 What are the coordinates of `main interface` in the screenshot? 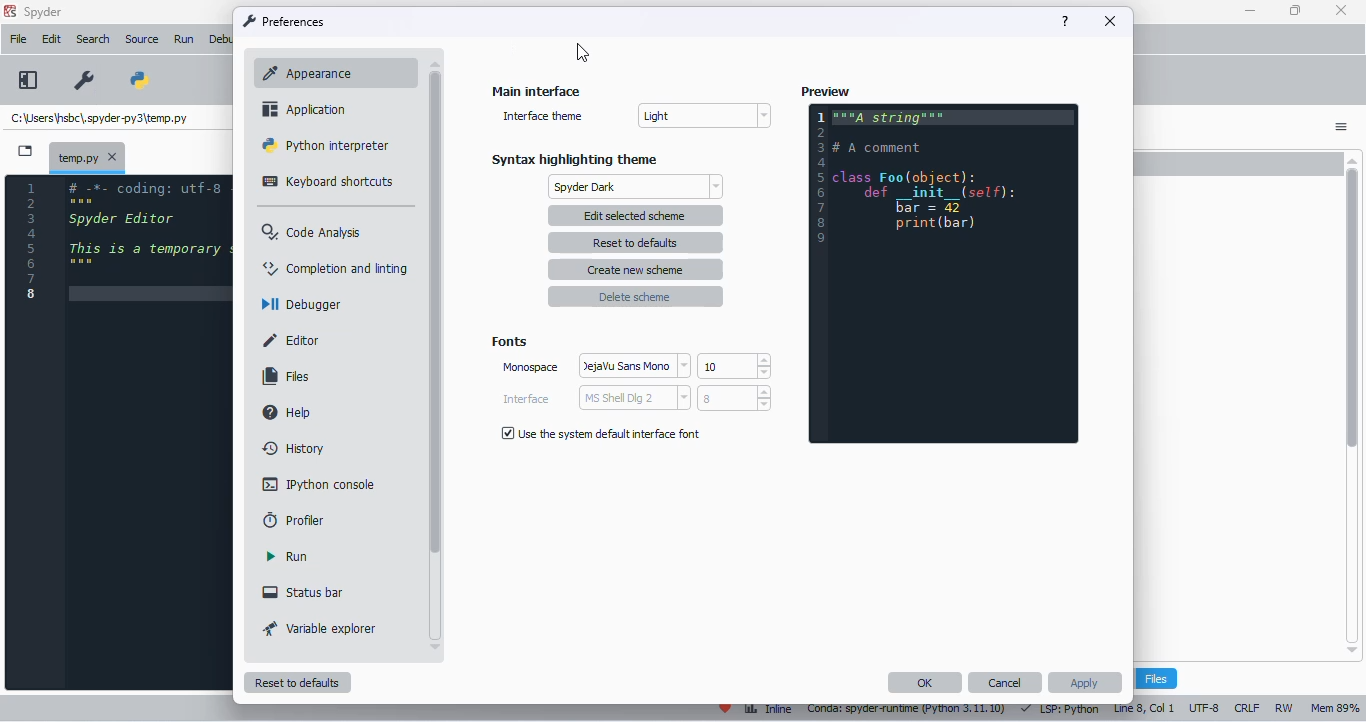 It's located at (536, 91).